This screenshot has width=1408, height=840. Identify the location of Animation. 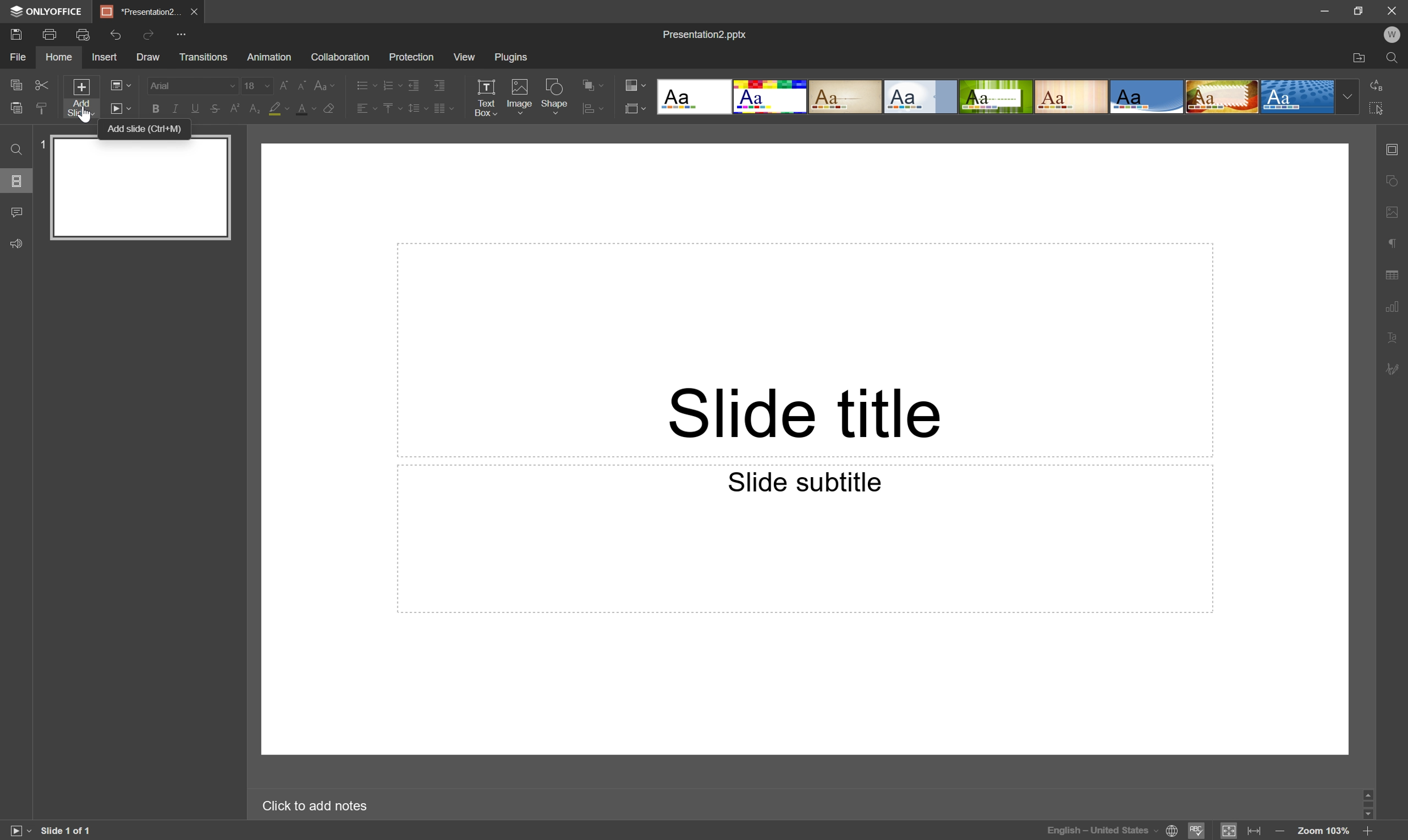
(267, 57).